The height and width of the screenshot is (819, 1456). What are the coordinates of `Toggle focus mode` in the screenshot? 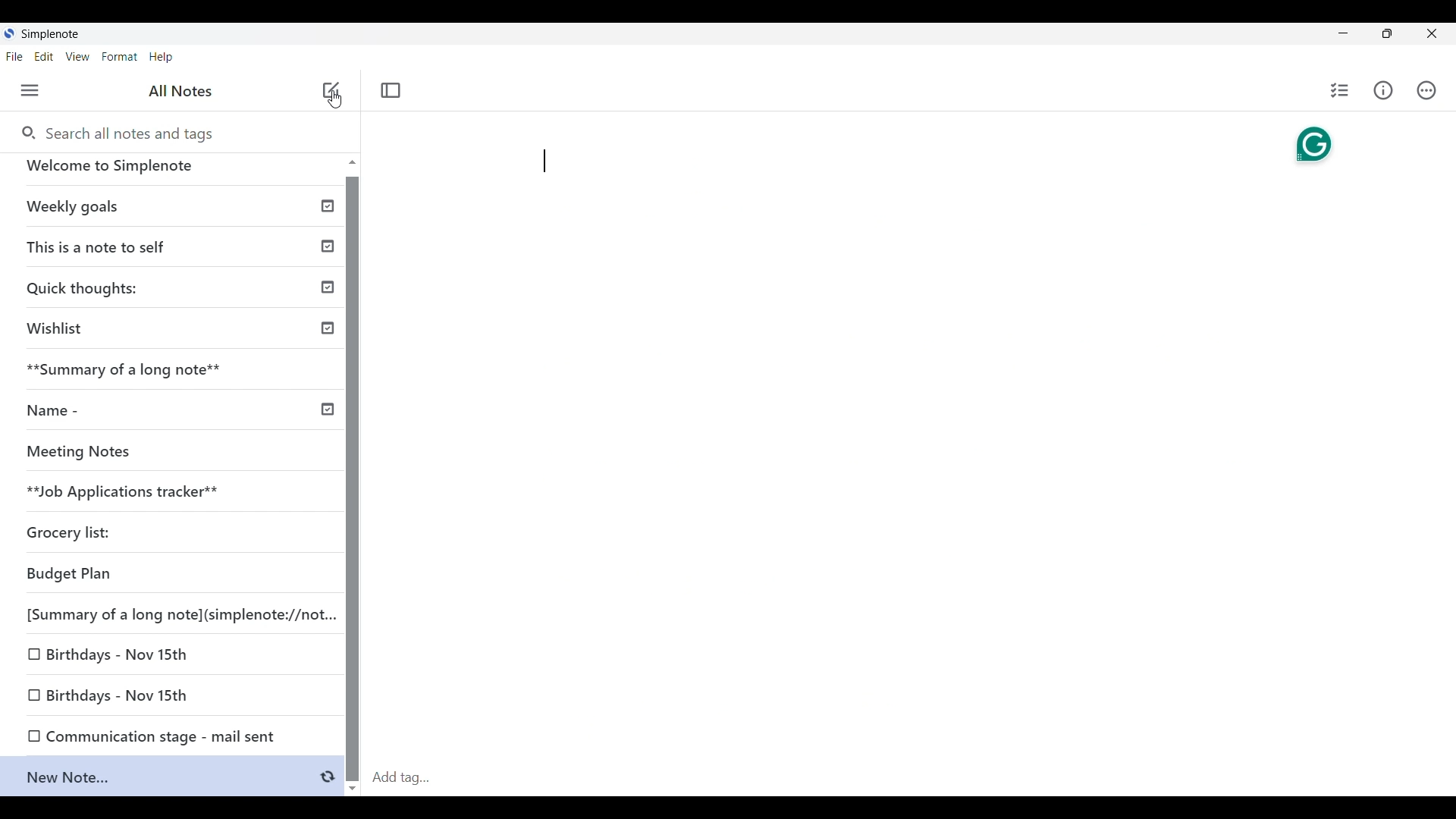 It's located at (391, 91).